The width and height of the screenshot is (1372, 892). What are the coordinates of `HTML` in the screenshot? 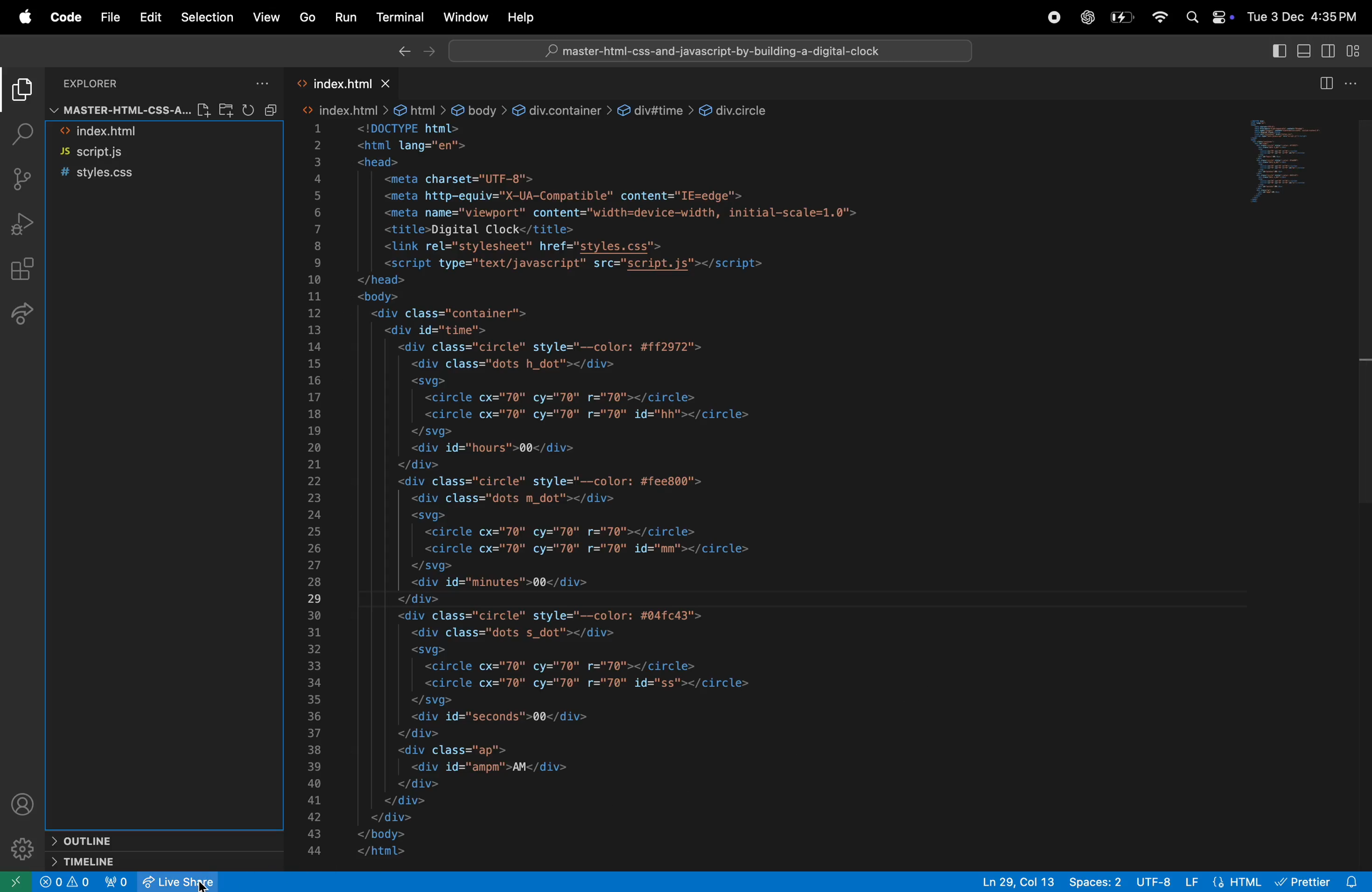 It's located at (1237, 881).